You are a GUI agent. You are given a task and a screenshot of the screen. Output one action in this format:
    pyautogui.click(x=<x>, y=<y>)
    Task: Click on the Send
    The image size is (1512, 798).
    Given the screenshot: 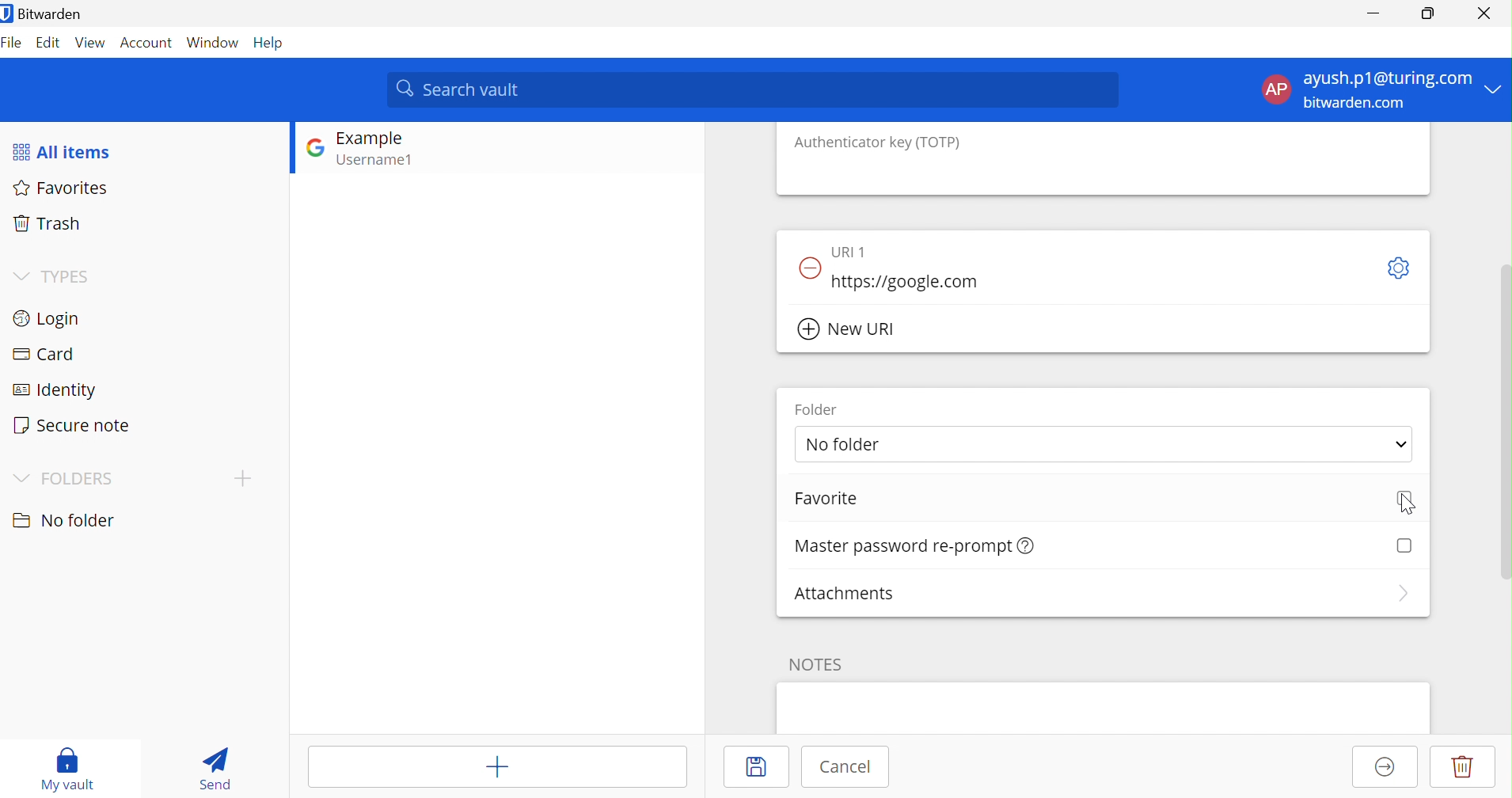 What is the action you would take?
    pyautogui.click(x=211, y=766)
    